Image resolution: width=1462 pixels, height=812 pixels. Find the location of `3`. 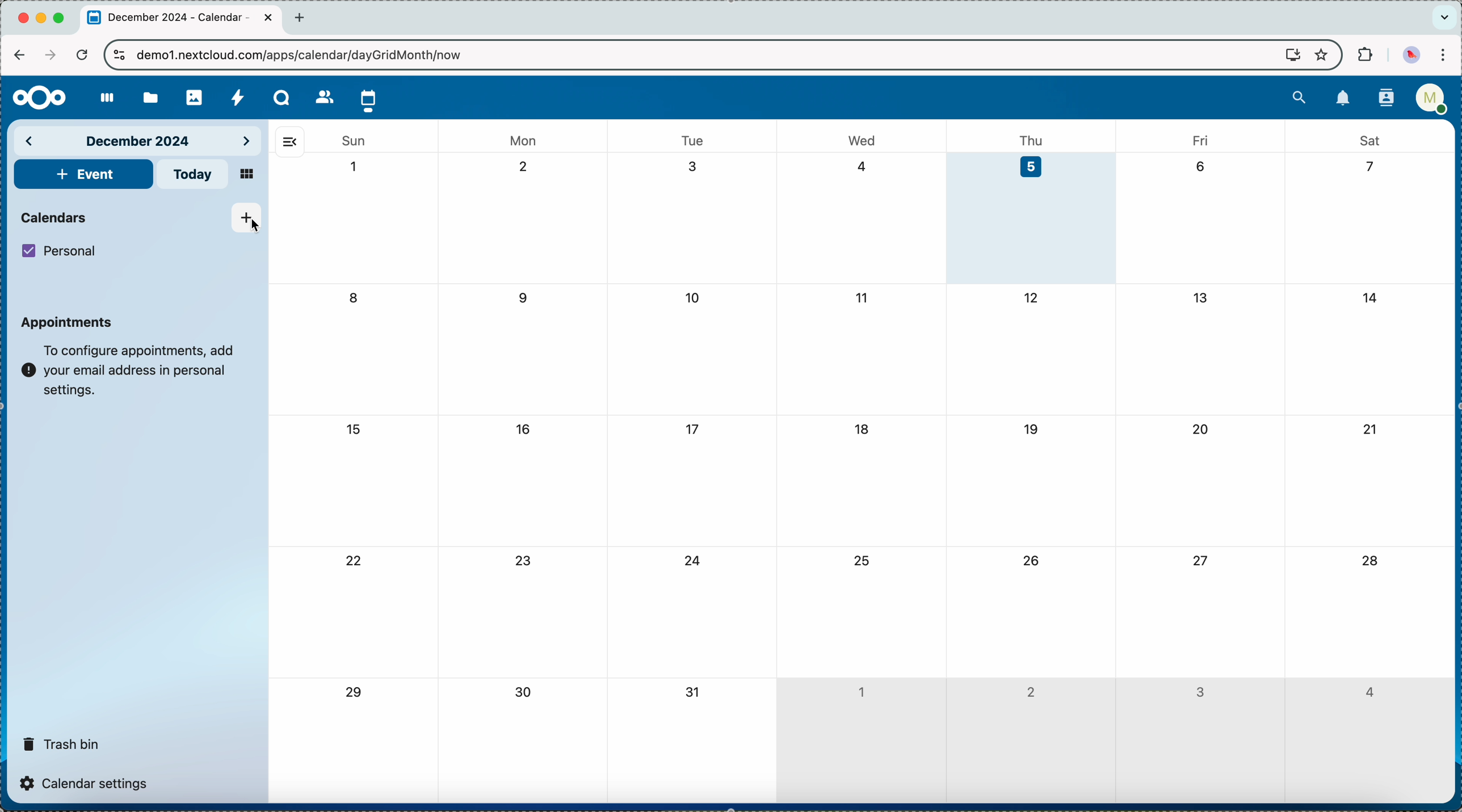

3 is located at coordinates (694, 166).